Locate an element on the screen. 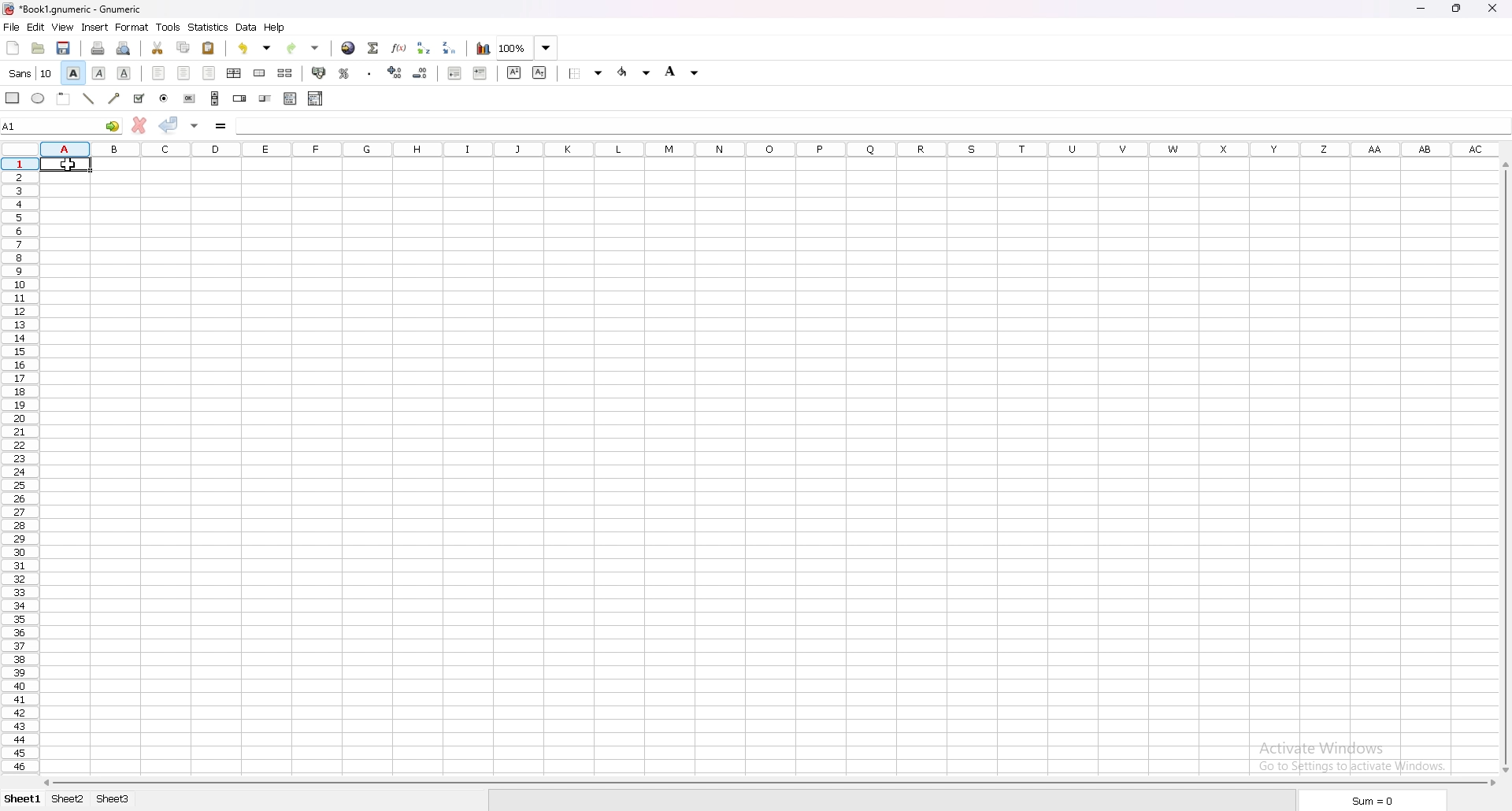 This screenshot has height=811, width=1512. resize is located at coordinates (1456, 9).